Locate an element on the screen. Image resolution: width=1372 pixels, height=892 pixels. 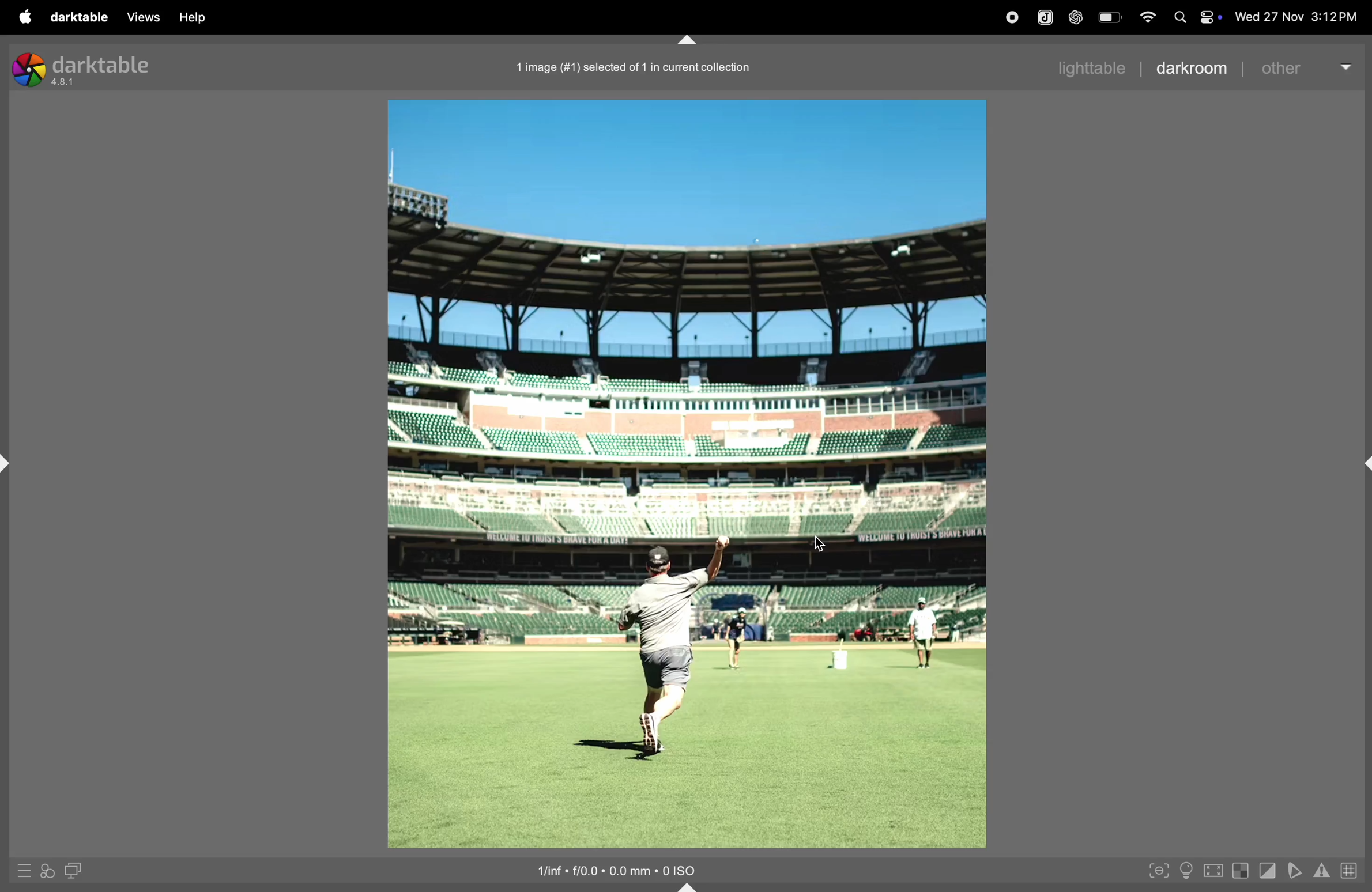
date and time is located at coordinates (1295, 17).